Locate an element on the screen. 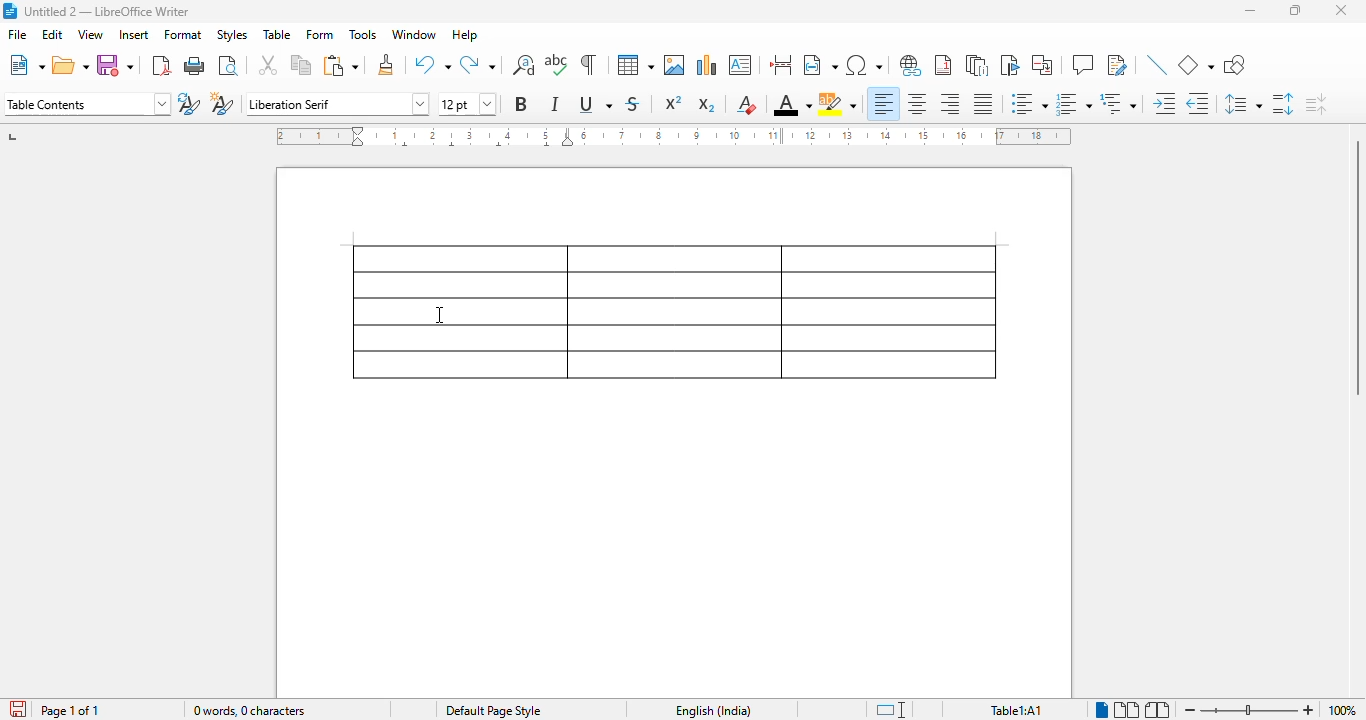 Image resolution: width=1366 pixels, height=720 pixels. default page style is located at coordinates (494, 711).